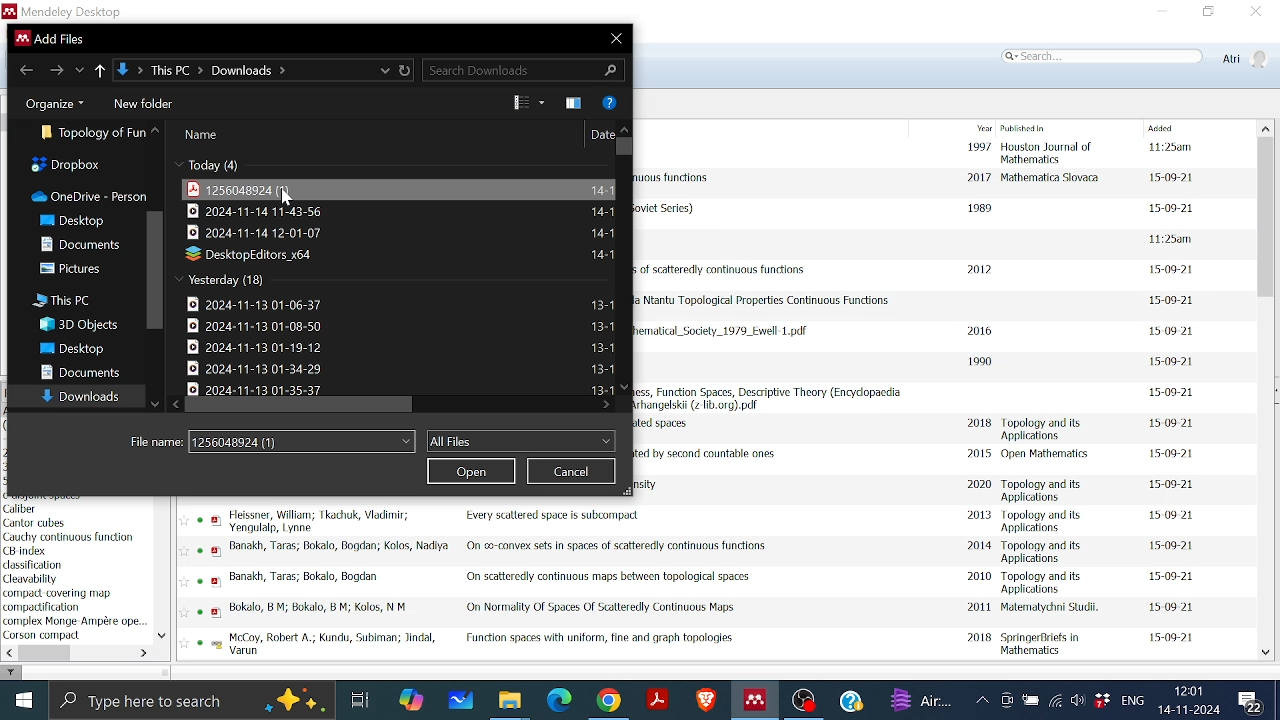 The image size is (1280, 720). What do you see at coordinates (1056, 699) in the screenshot?
I see `Internet access` at bounding box center [1056, 699].